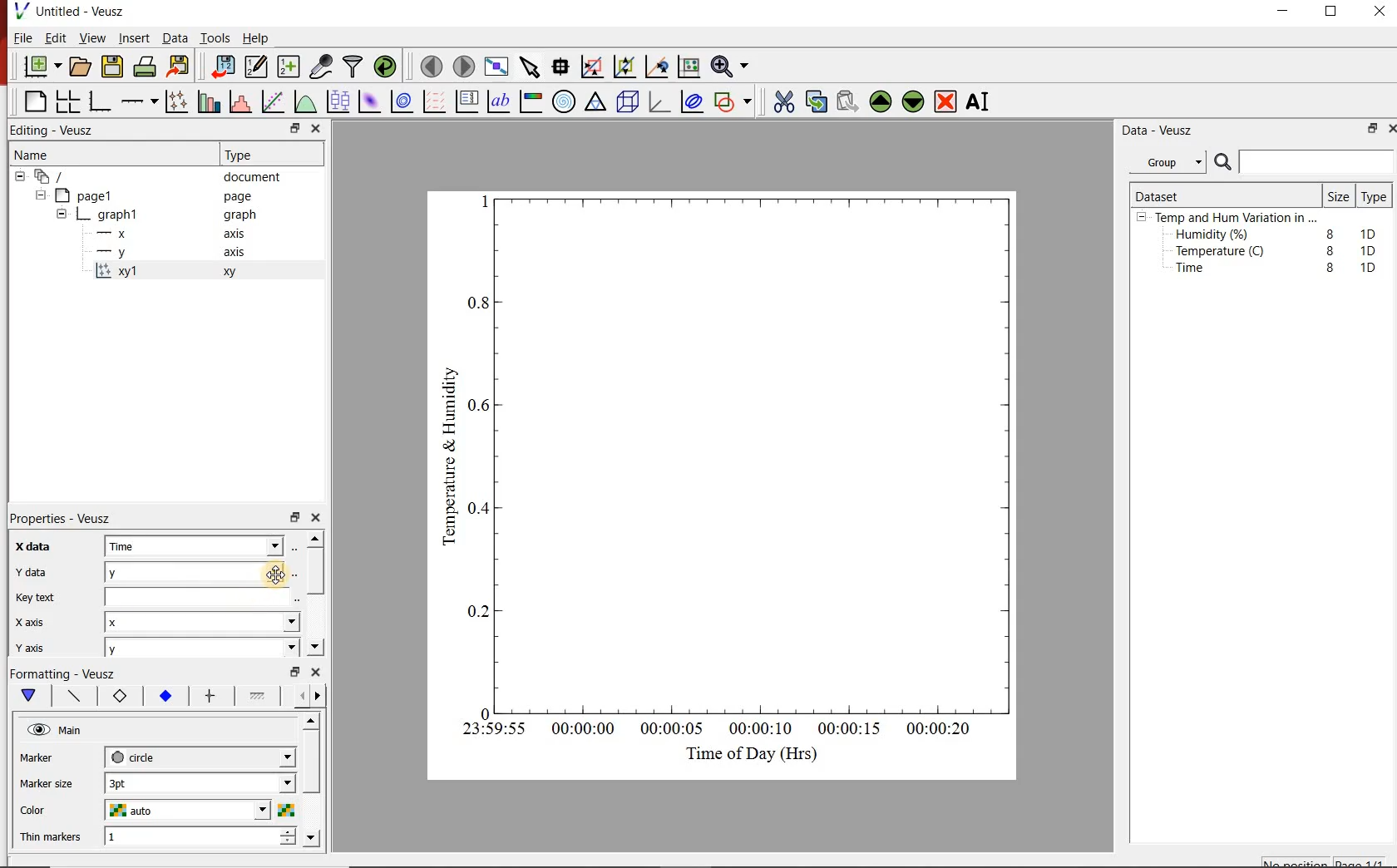 This screenshot has width=1397, height=868. Describe the element at coordinates (430, 67) in the screenshot. I see `move to the previous page` at that location.